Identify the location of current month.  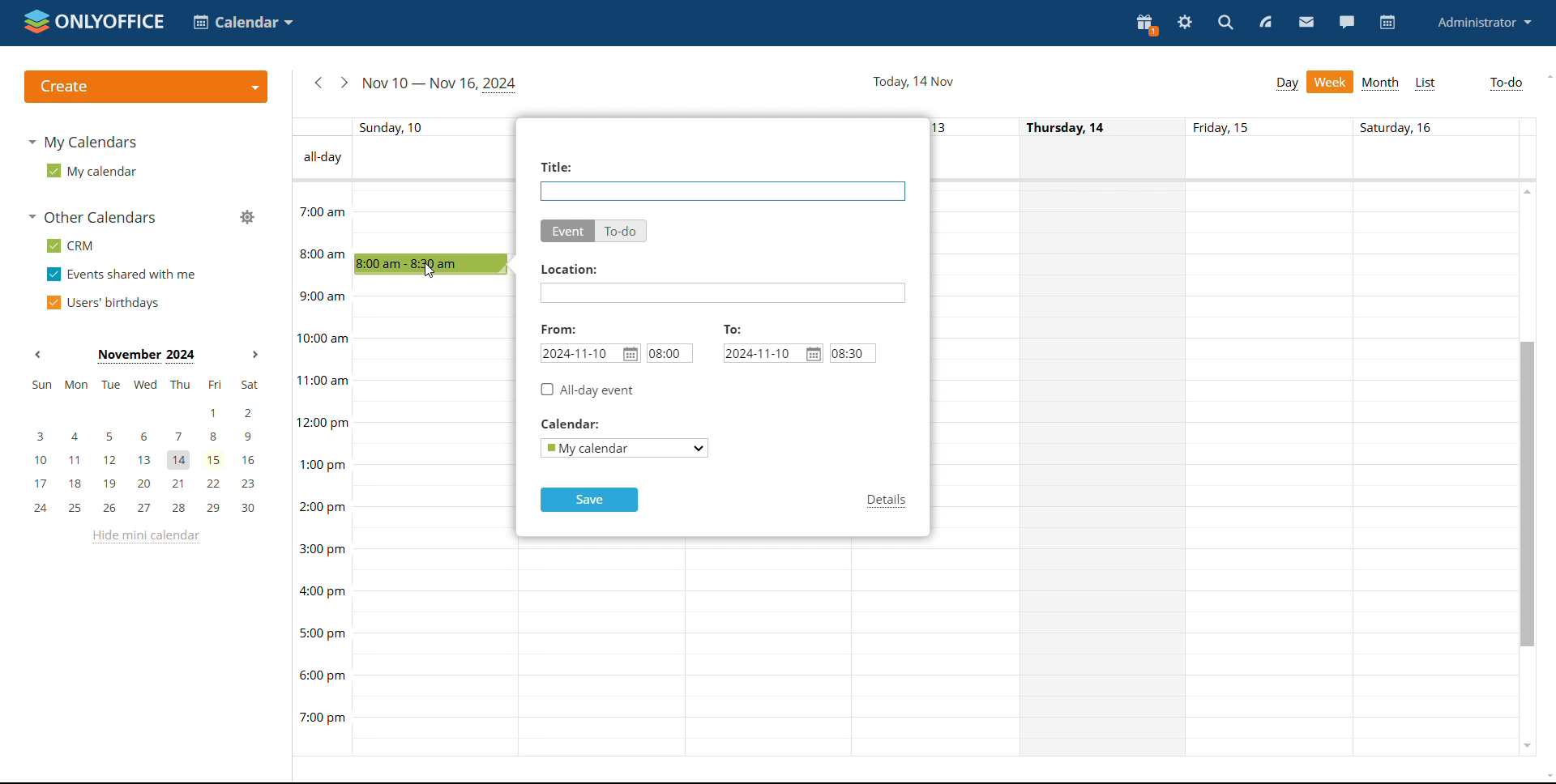
(144, 355).